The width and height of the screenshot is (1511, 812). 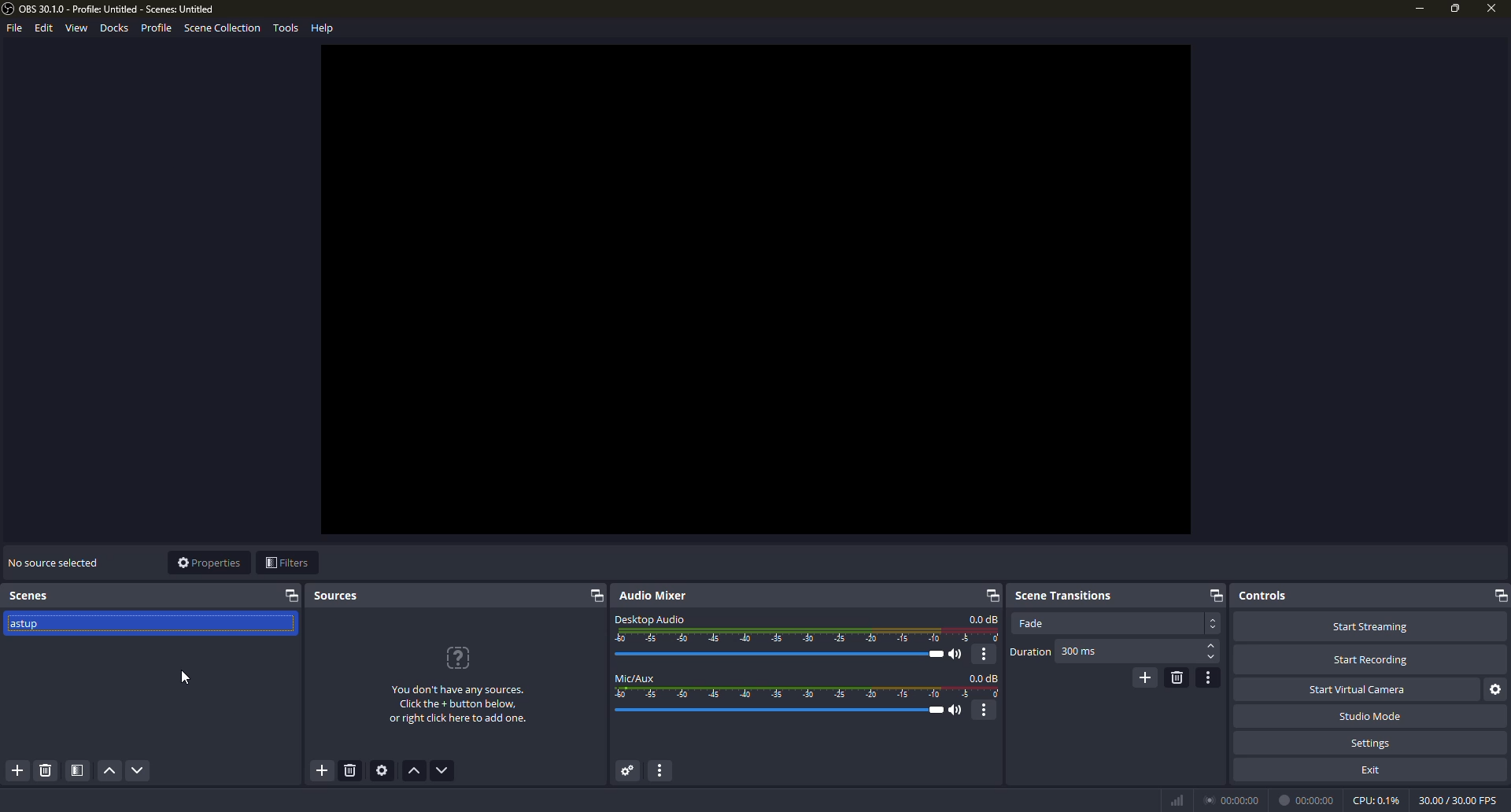 I want to click on expand, so click(x=292, y=596).